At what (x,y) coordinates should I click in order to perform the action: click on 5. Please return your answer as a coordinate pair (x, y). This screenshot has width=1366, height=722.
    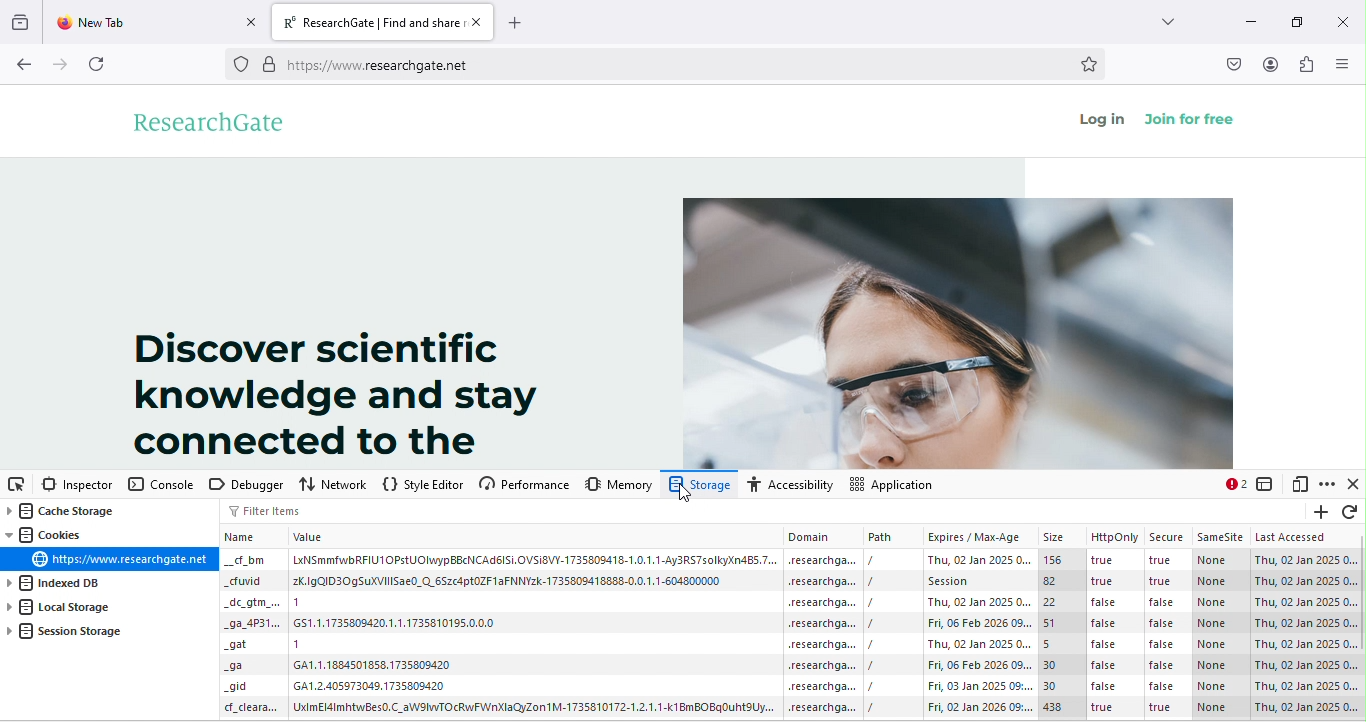
    Looking at the image, I should click on (1048, 645).